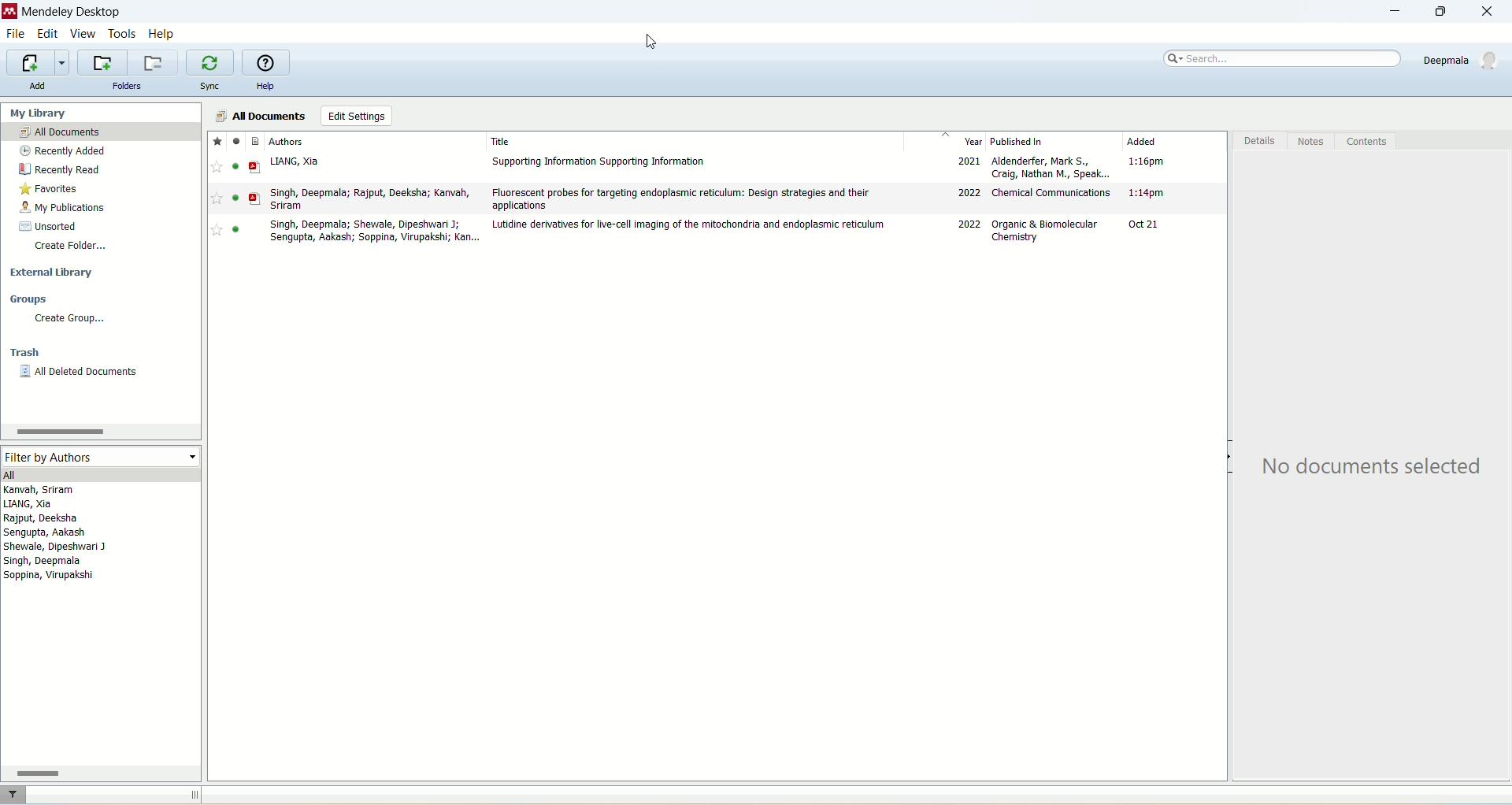  Describe the element at coordinates (1440, 11) in the screenshot. I see `maximize` at that location.